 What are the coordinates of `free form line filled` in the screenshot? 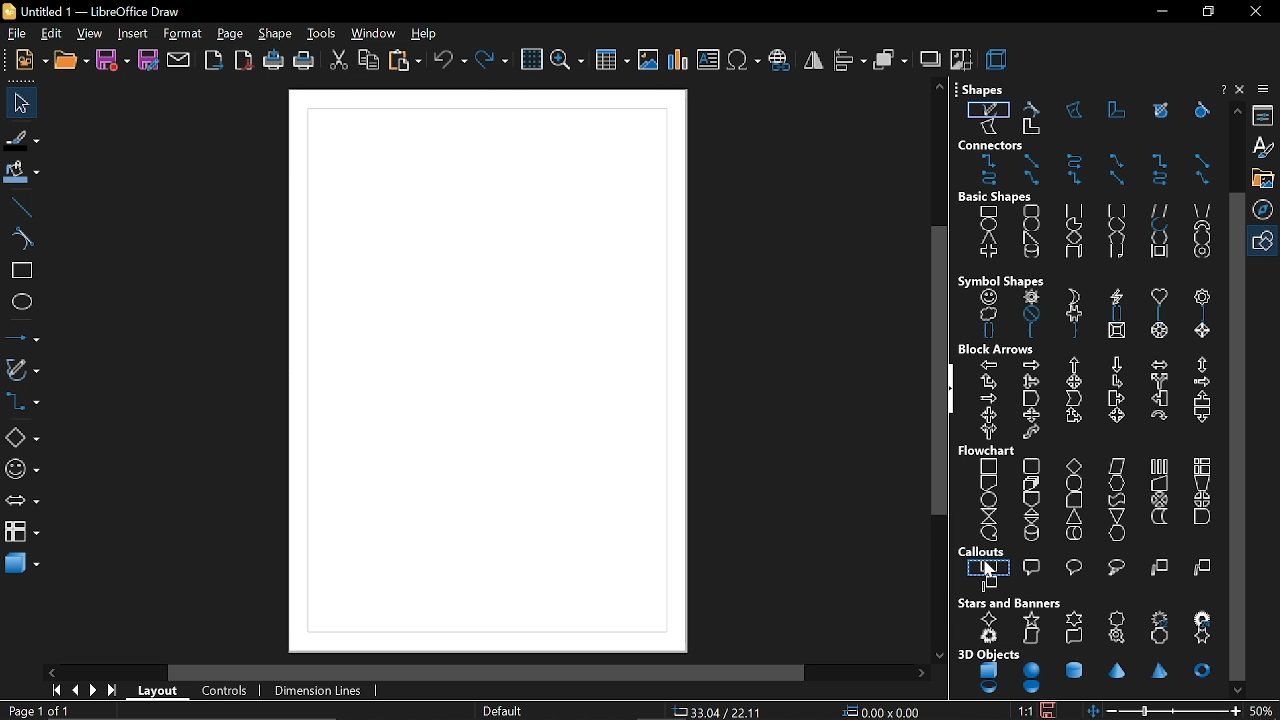 It's located at (1161, 110).